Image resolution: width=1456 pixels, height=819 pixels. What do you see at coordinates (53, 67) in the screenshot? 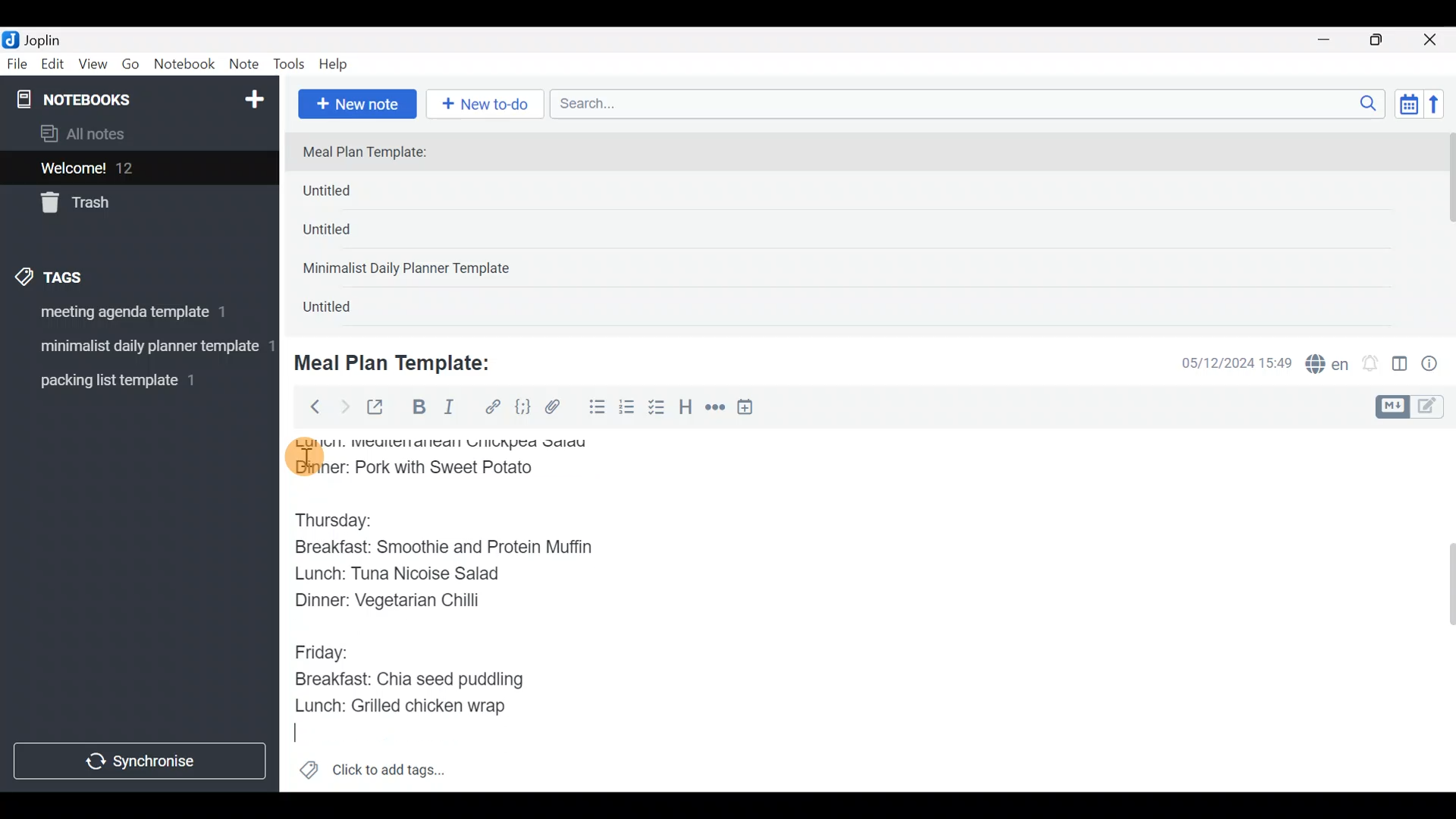
I see `Edit` at bounding box center [53, 67].